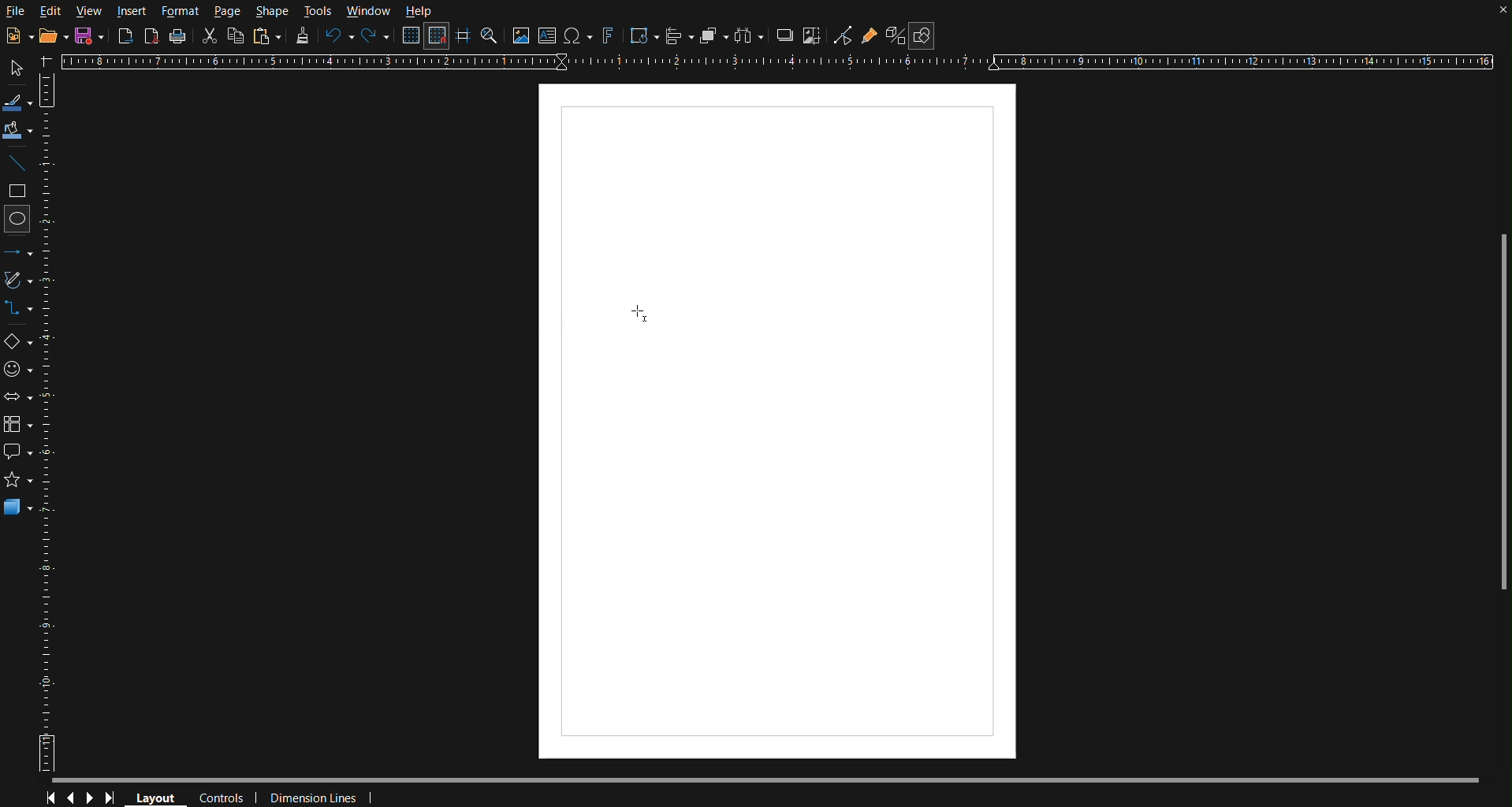 Image resolution: width=1512 pixels, height=807 pixels. I want to click on Formatting, so click(303, 38).